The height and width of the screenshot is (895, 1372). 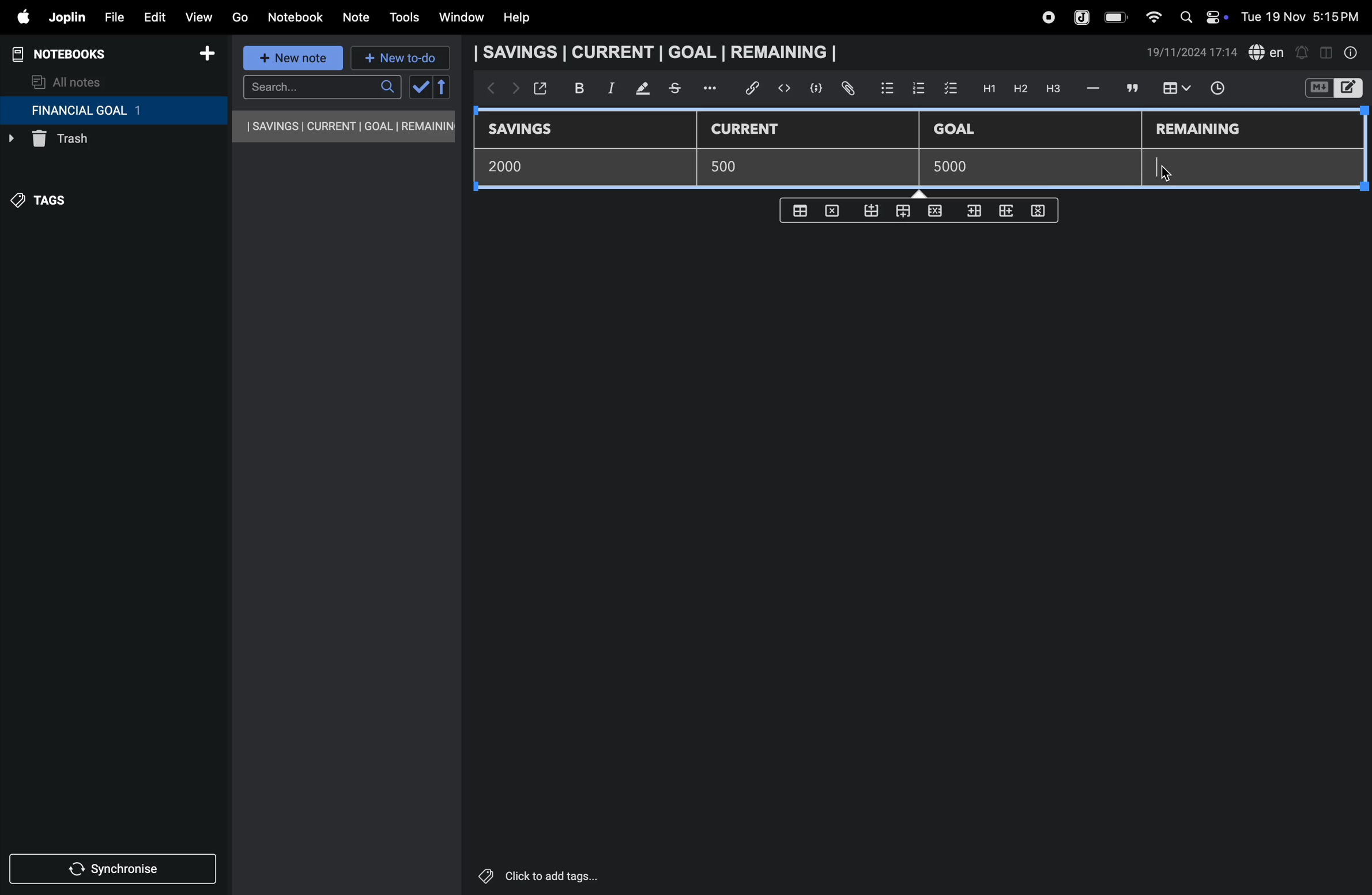 I want to click on stketchbook, so click(x=676, y=90).